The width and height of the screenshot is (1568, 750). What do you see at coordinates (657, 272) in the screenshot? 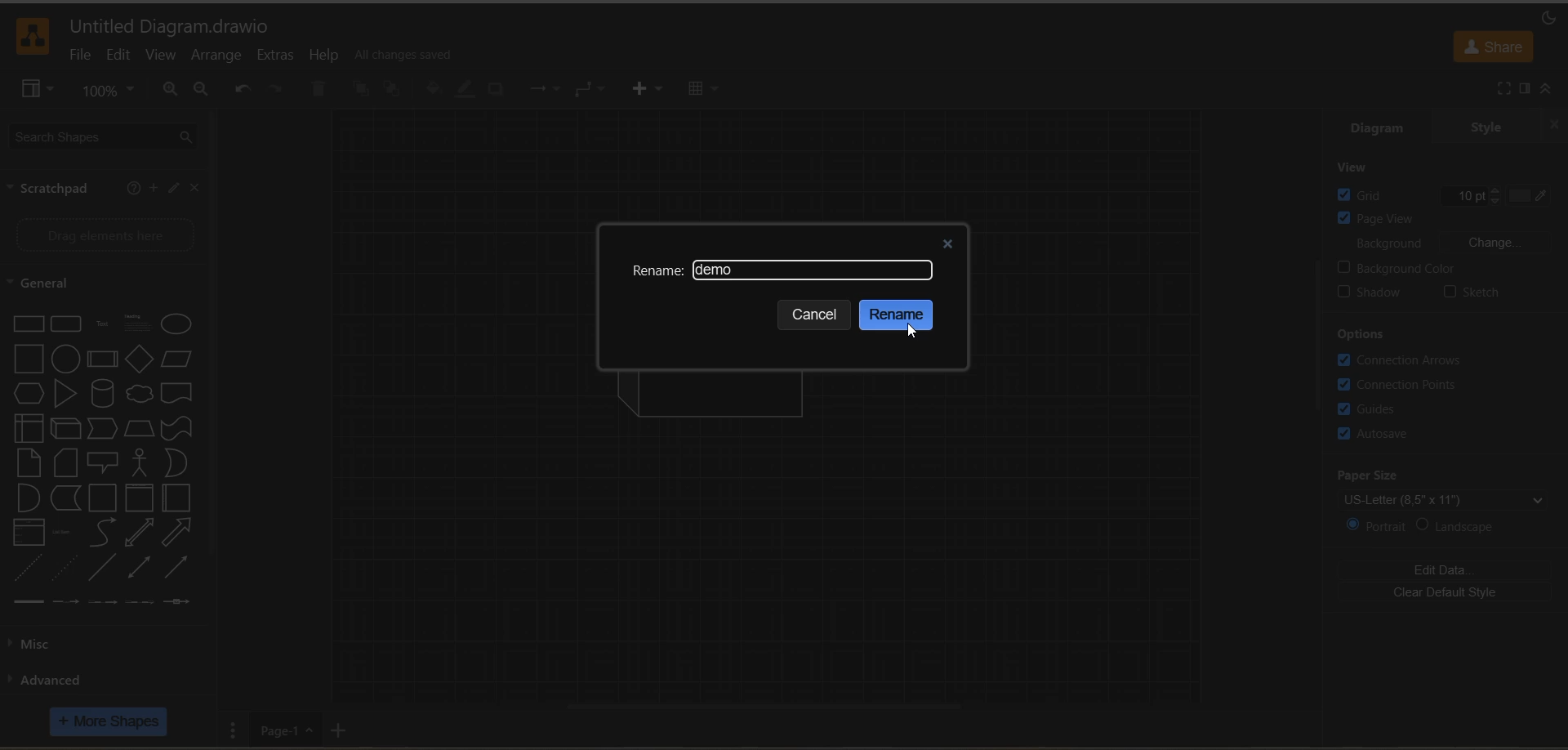
I see `rename` at bounding box center [657, 272].